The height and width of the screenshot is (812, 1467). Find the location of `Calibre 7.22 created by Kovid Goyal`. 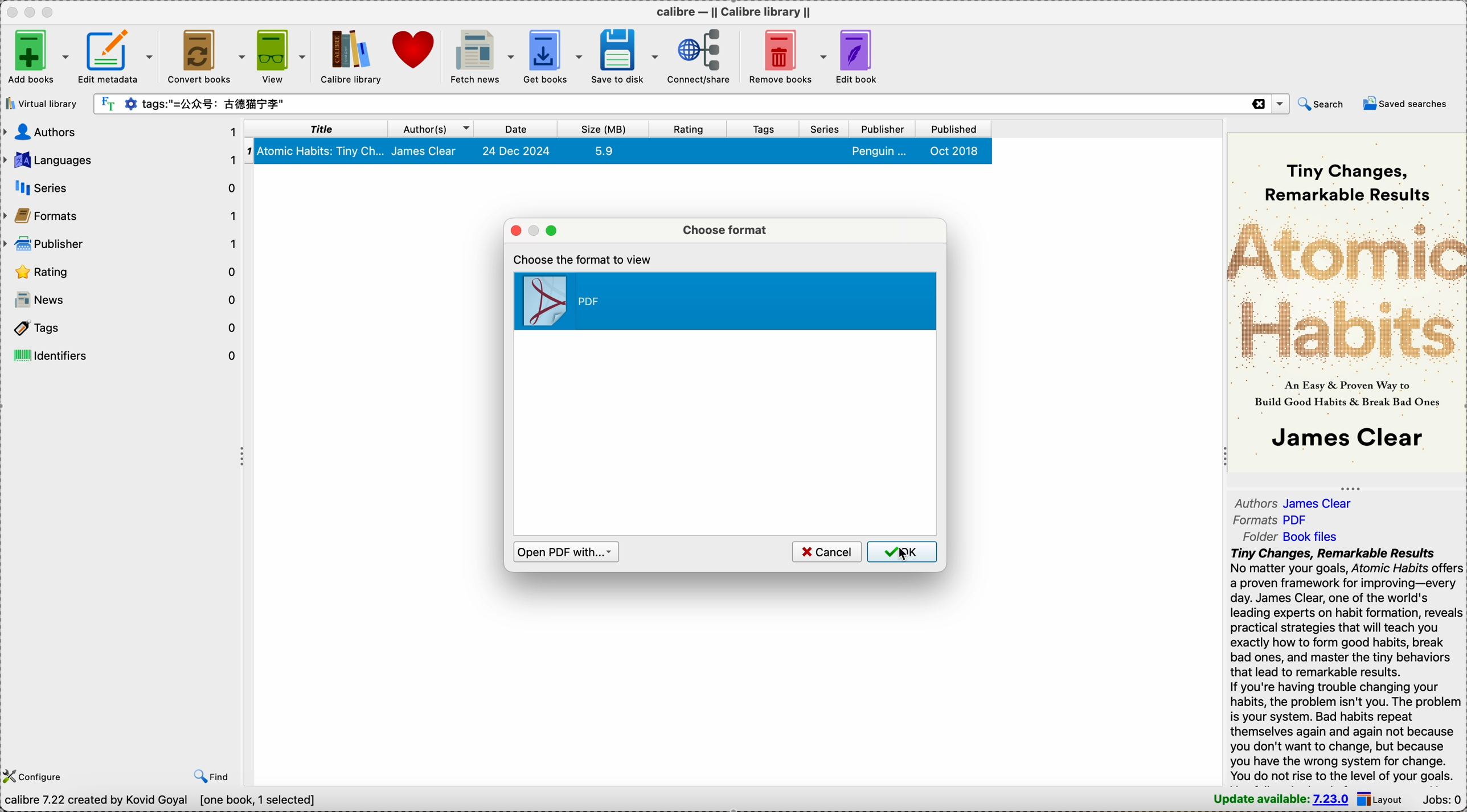

Calibre 7.22 created by Kovid Goyal is located at coordinates (164, 802).